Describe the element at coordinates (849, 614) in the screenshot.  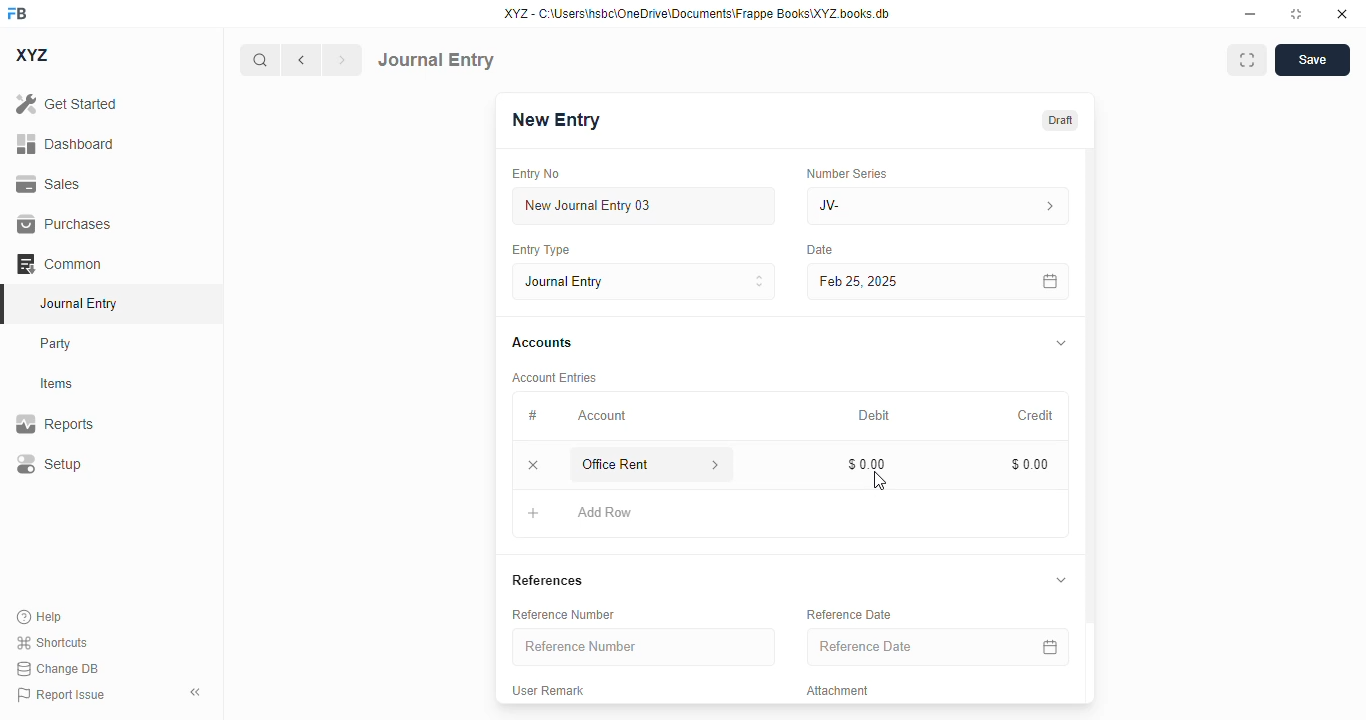
I see `reference data` at that location.